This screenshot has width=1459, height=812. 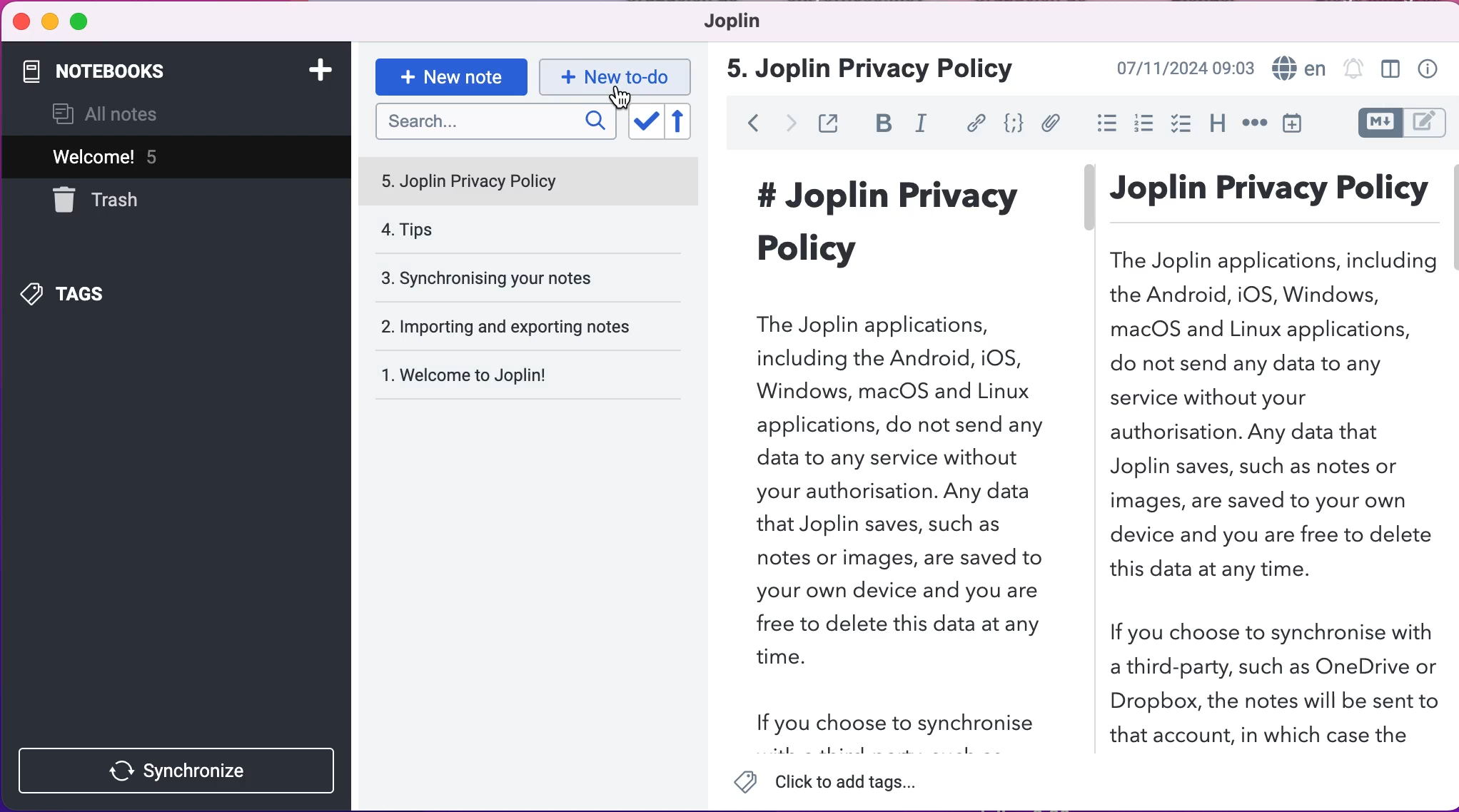 I want to click on language, so click(x=1298, y=66).